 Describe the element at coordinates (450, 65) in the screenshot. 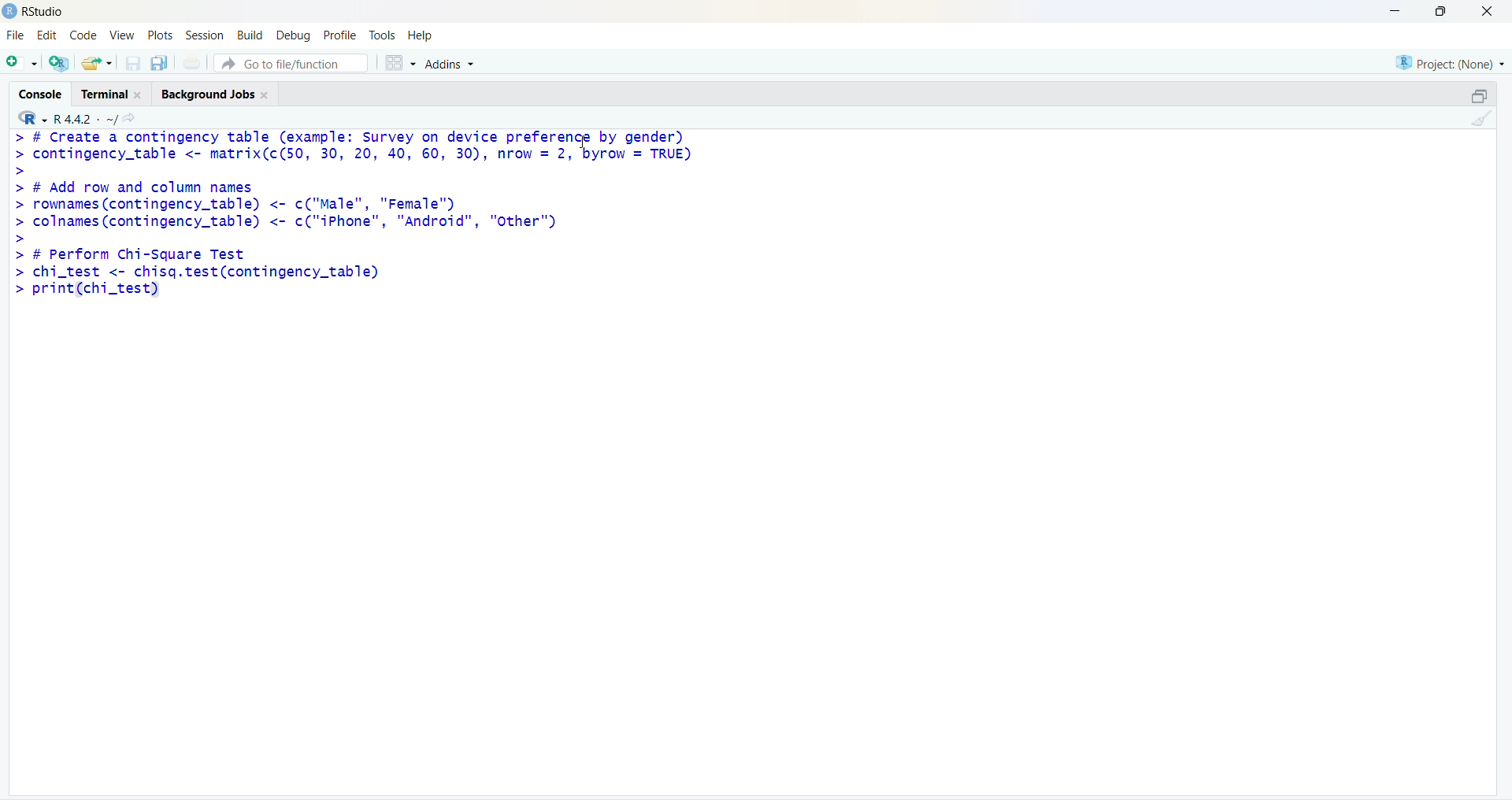

I see `Addins` at that location.